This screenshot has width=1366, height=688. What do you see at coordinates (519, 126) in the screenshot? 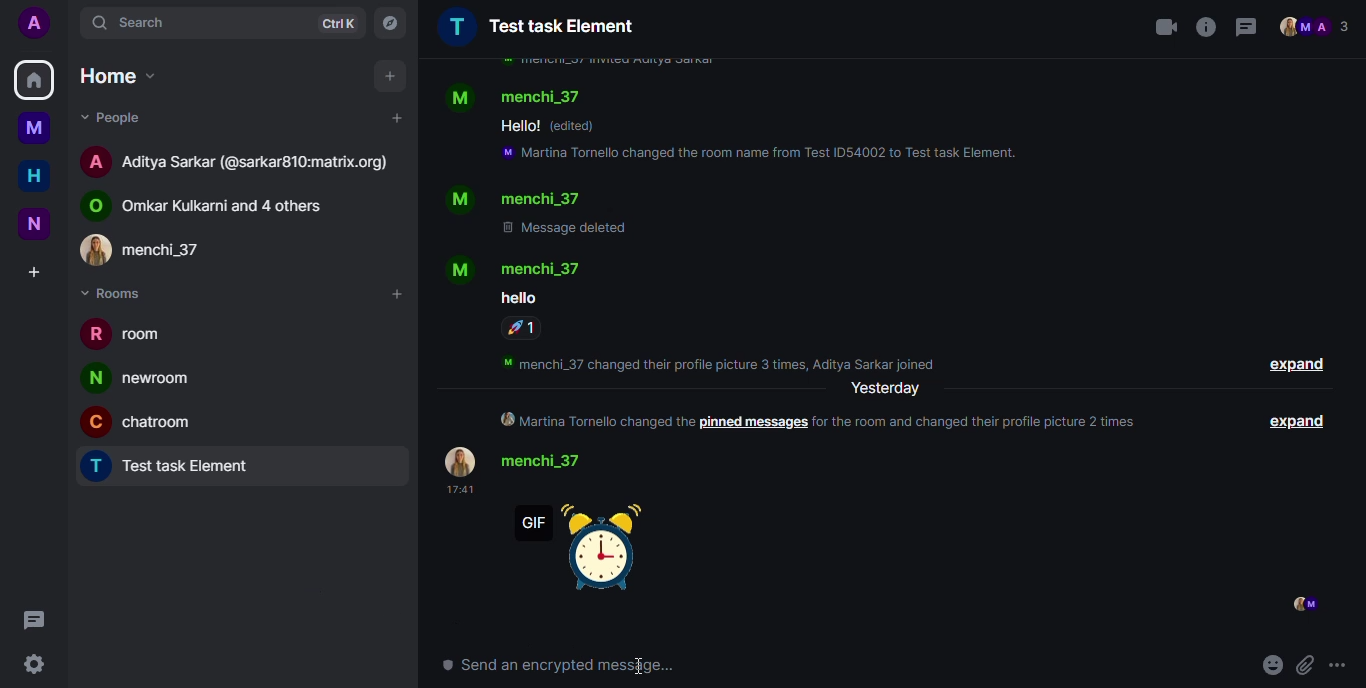
I see `Hello` at bounding box center [519, 126].